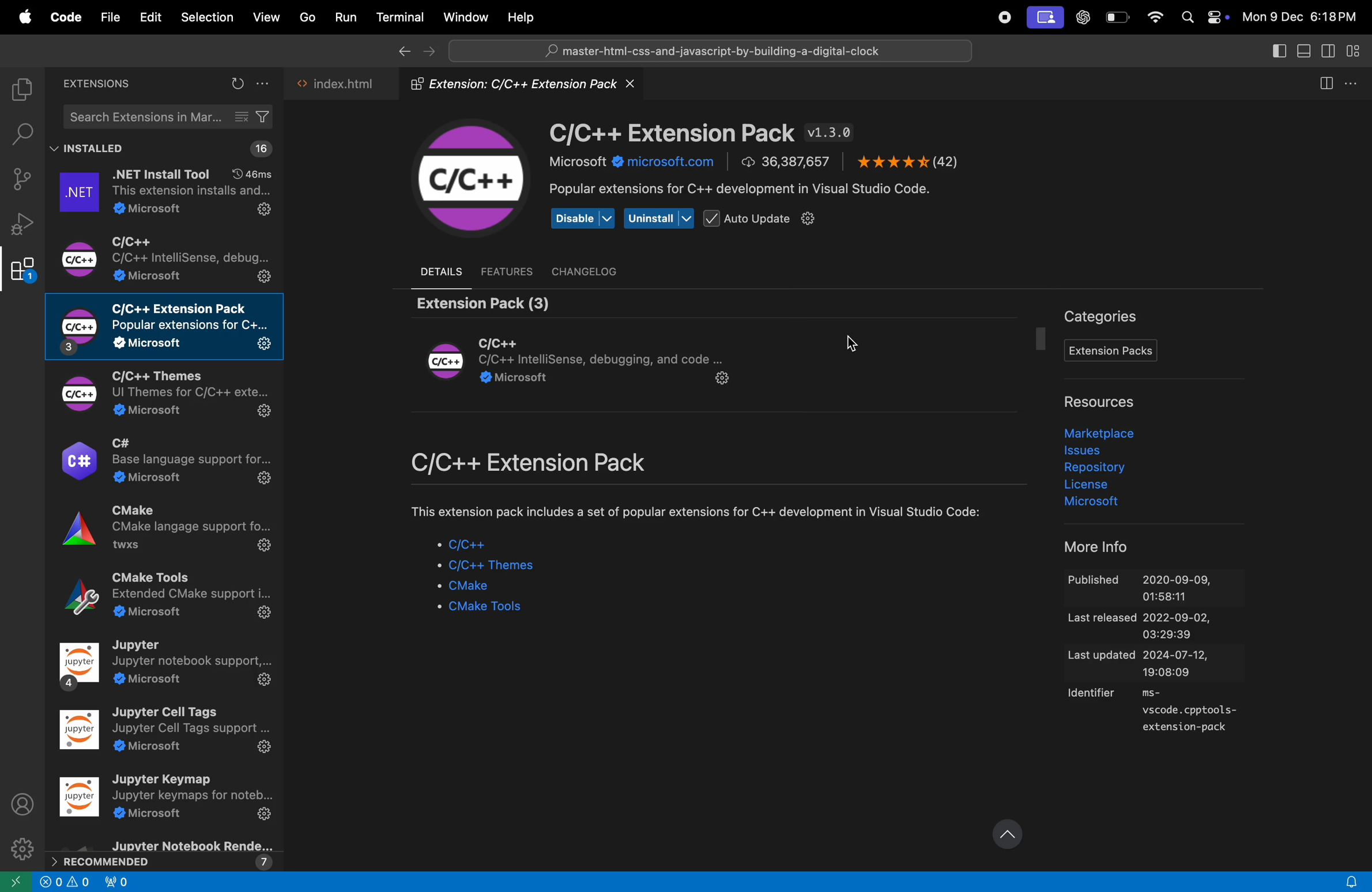  What do you see at coordinates (268, 17) in the screenshot?
I see `View` at bounding box center [268, 17].